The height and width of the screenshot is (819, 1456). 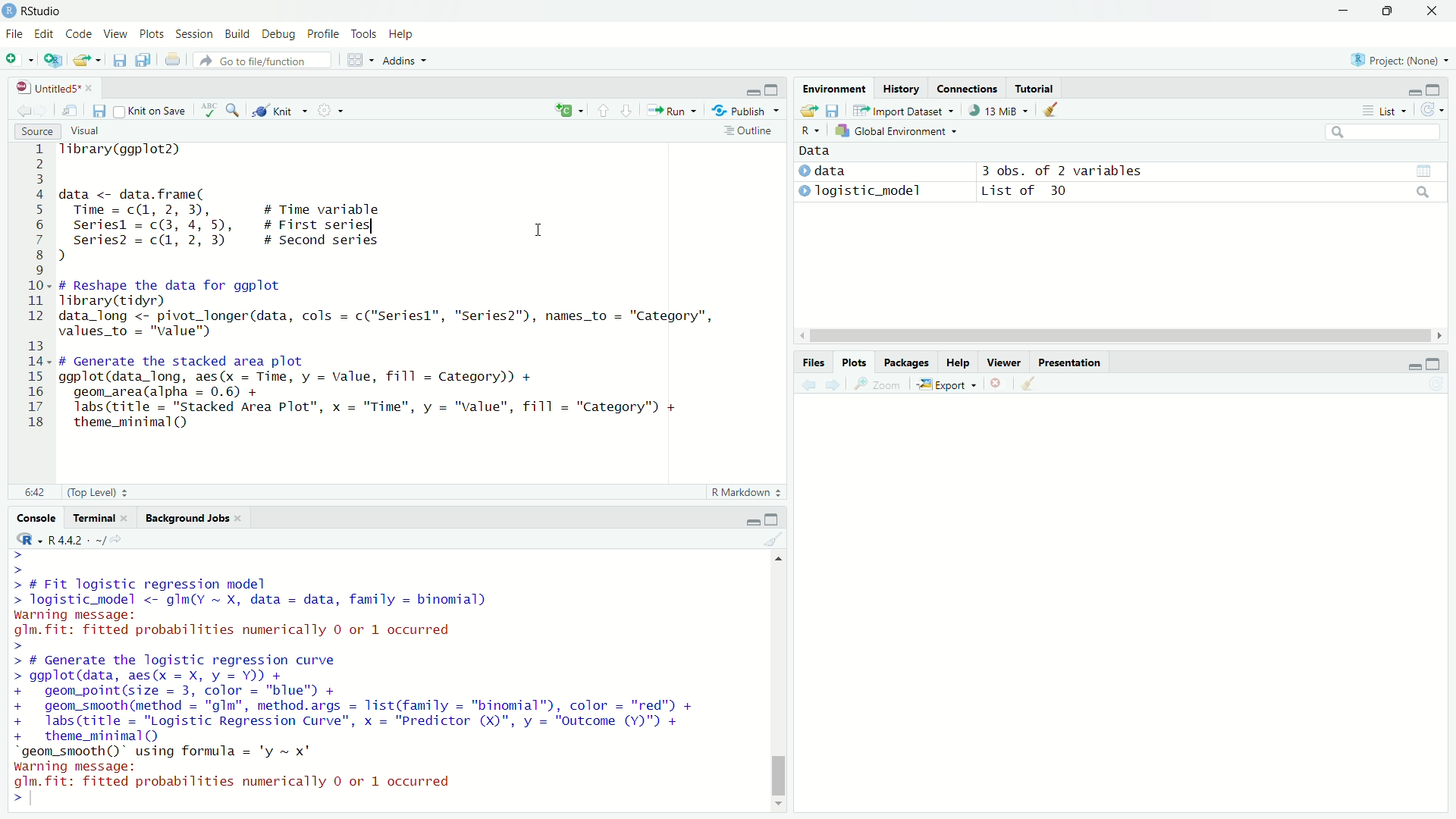 What do you see at coordinates (174, 65) in the screenshot?
I see `print` at bounding box center [174, 65].